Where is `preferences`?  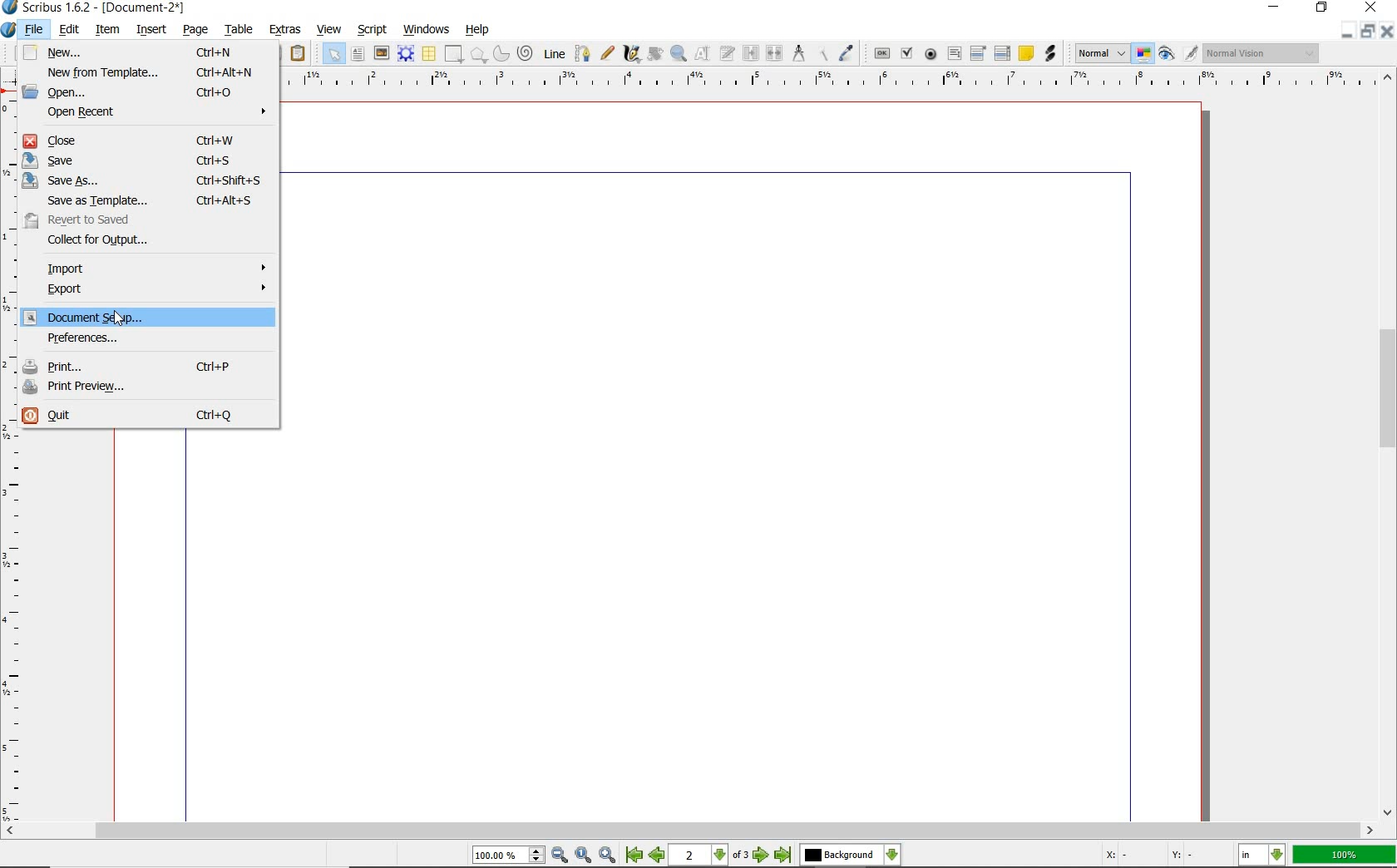 preferences is located at coordinates (149, 340).